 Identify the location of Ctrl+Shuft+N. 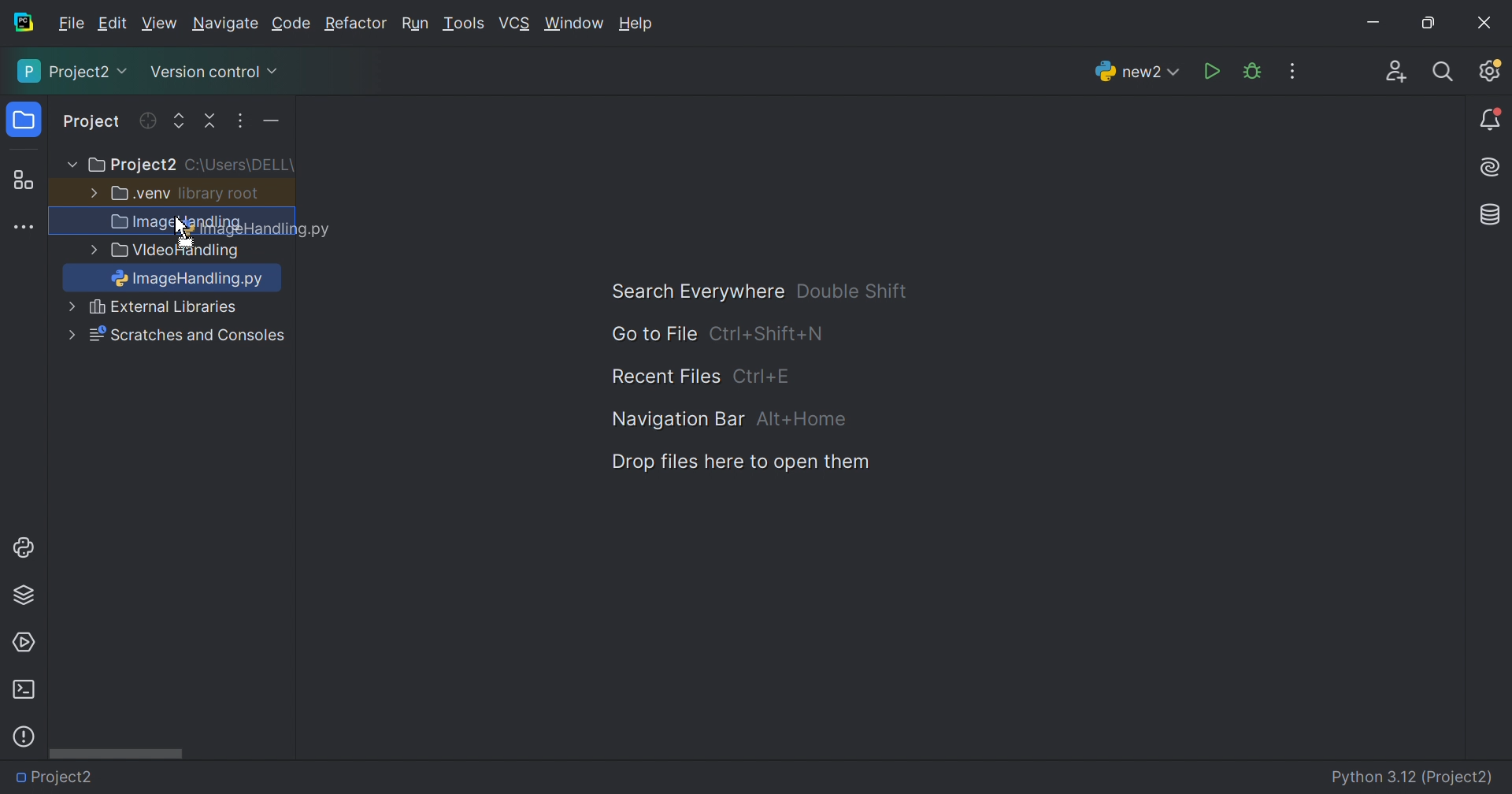
(766, 335).